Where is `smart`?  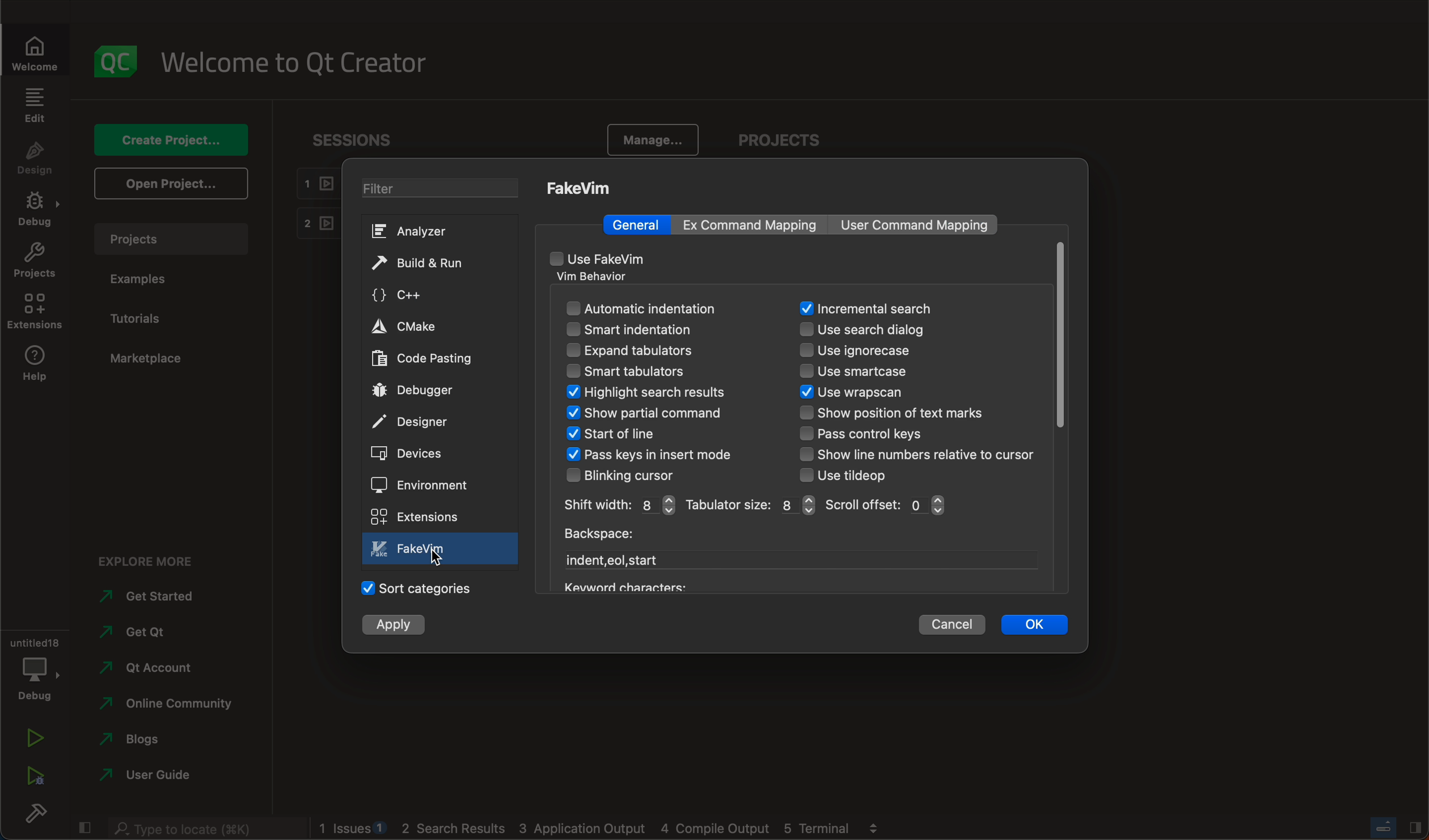 smart is located at coordinates (653, 329).